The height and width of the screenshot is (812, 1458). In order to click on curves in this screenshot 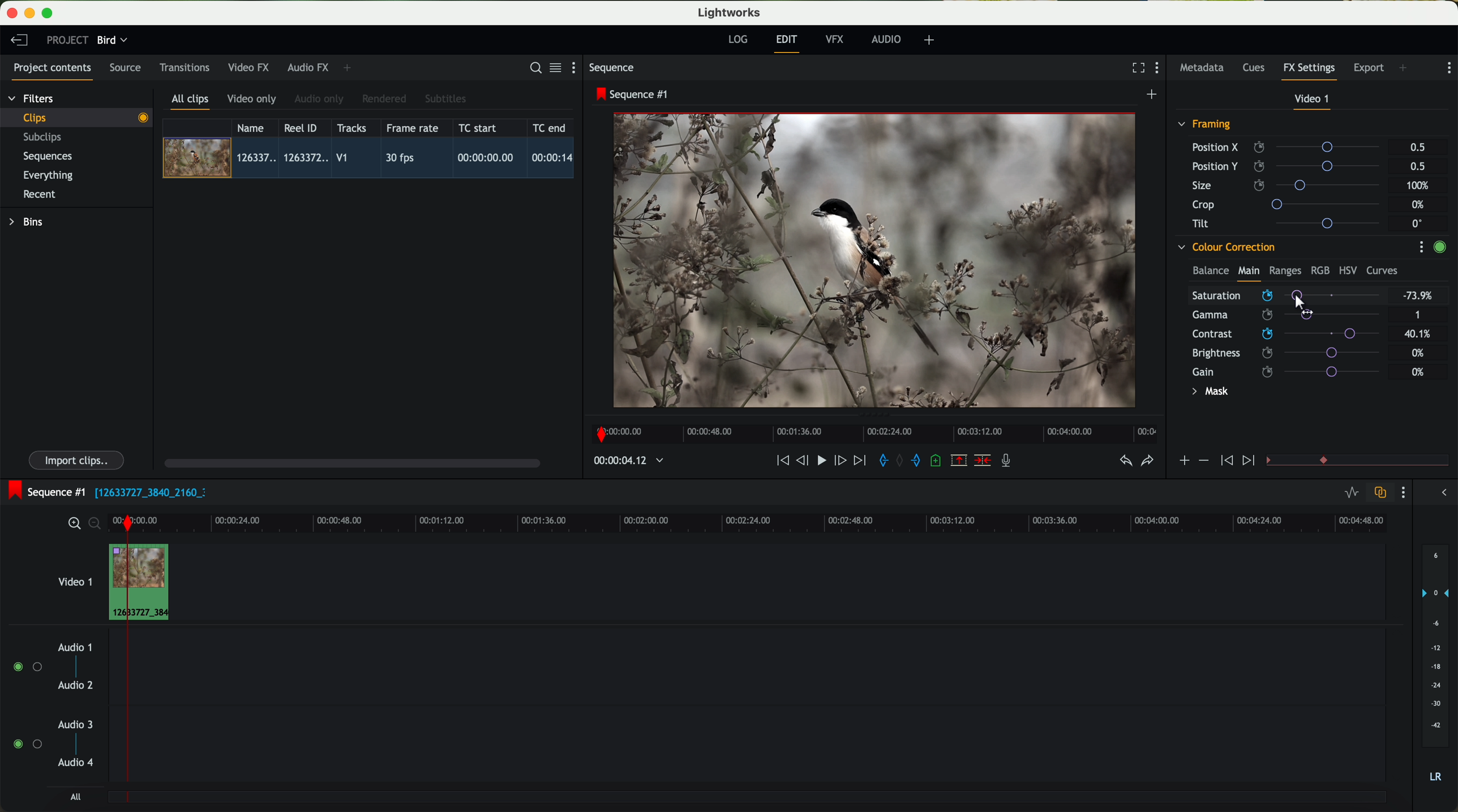, I will do `click(1382, 271)`.